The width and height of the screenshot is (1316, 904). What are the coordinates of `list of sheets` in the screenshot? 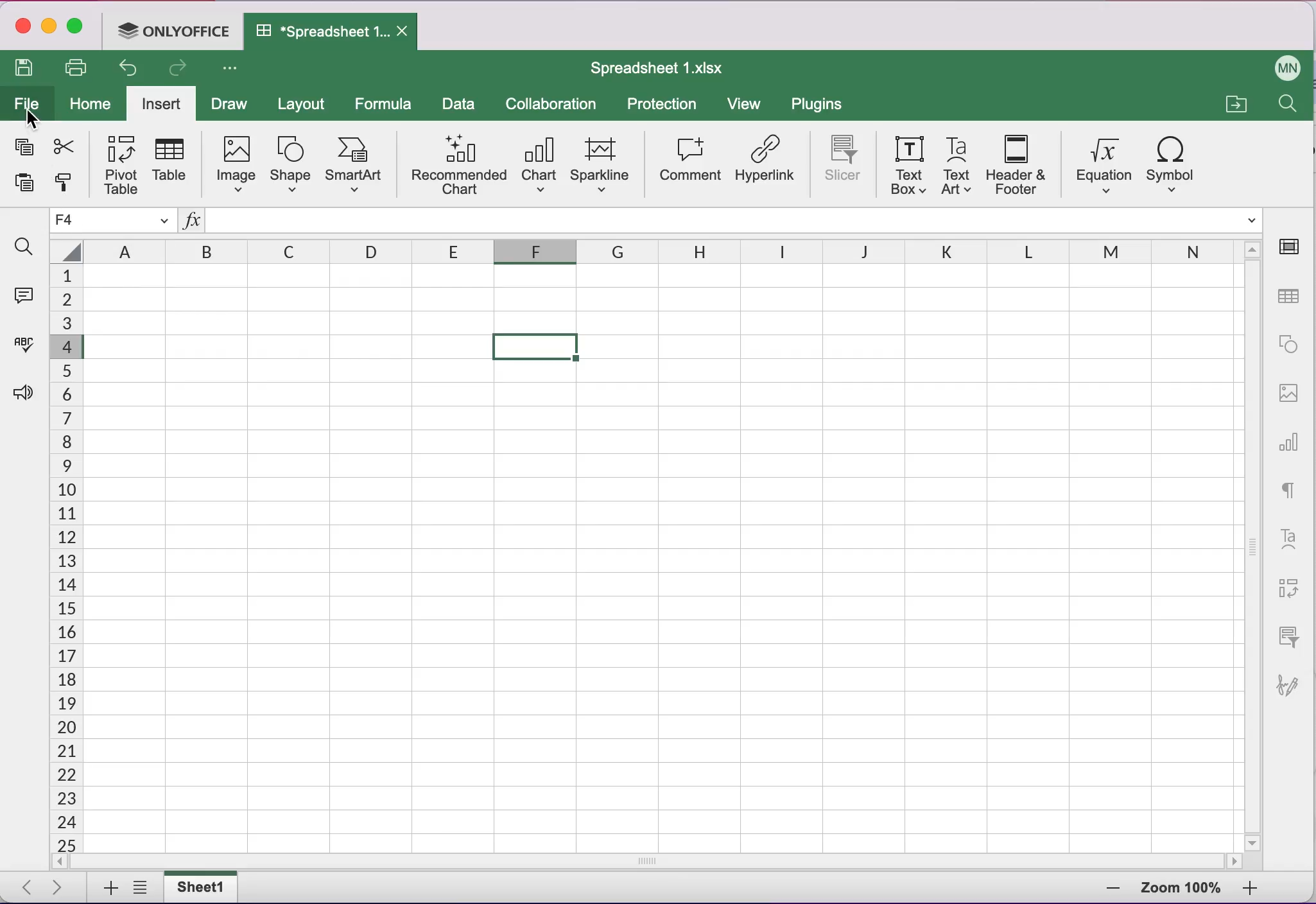 It's located at (138, 887).